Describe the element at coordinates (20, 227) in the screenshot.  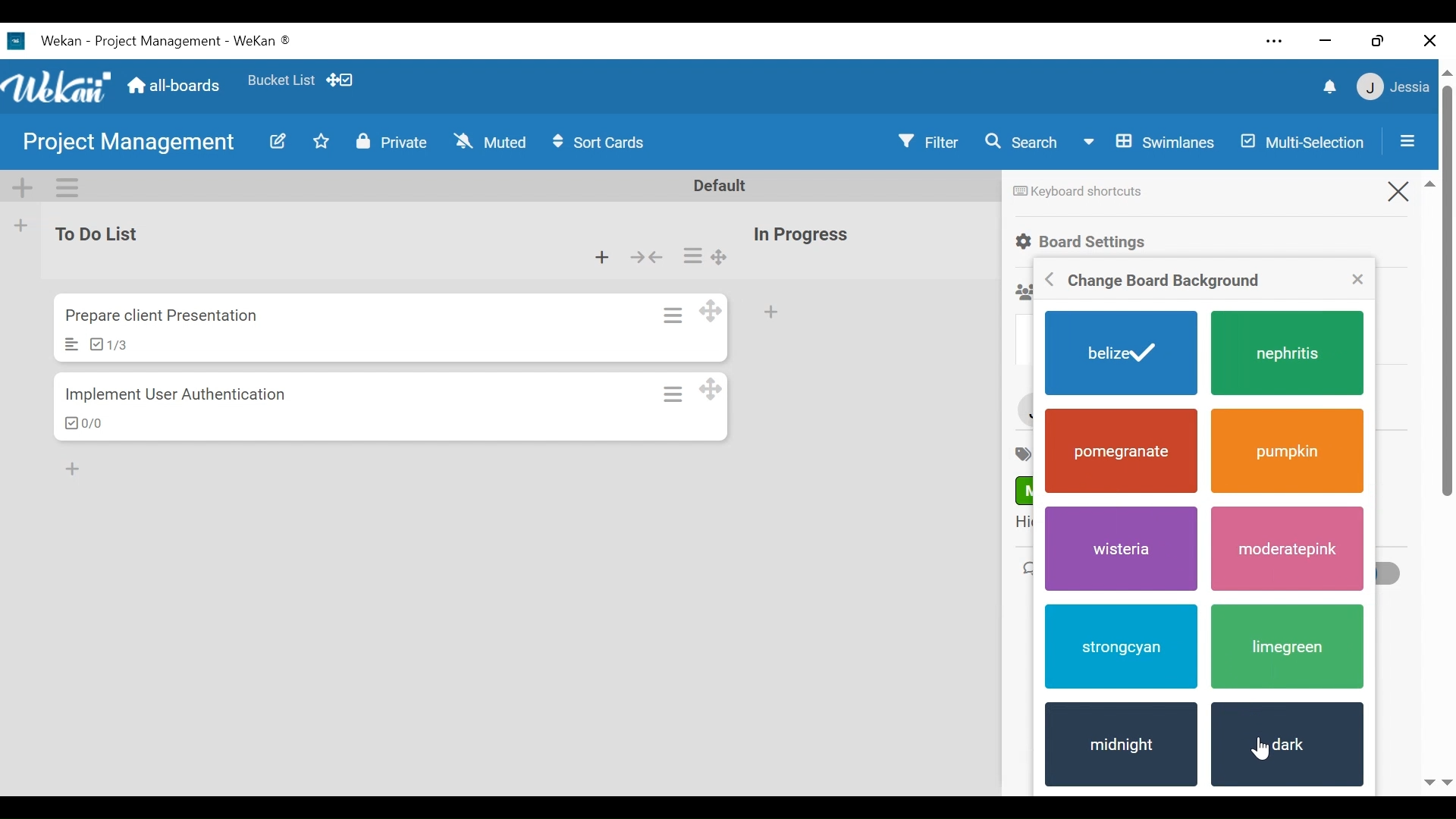
I see `Add List` at that location.